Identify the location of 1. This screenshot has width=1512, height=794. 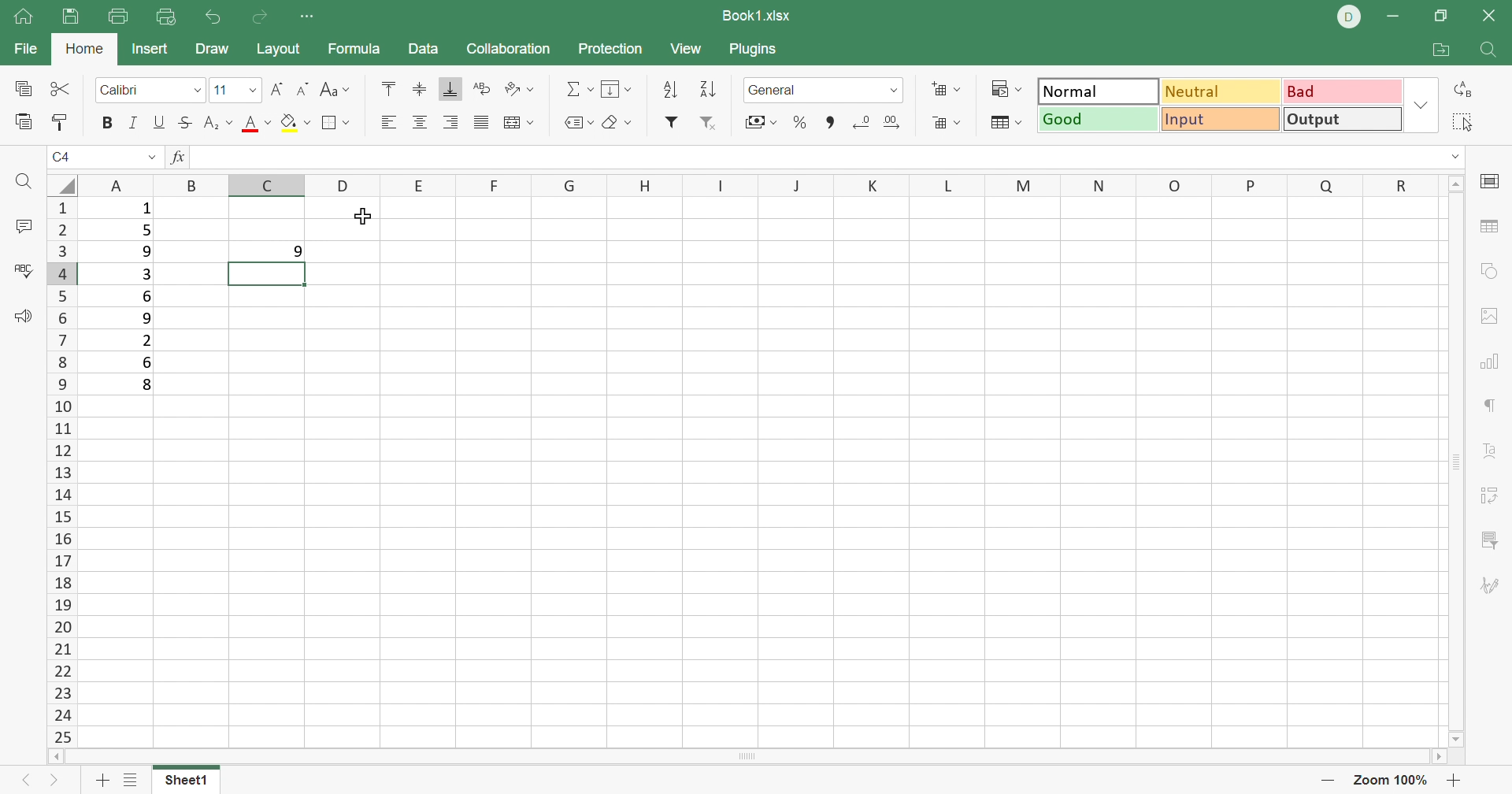
(147, 209).